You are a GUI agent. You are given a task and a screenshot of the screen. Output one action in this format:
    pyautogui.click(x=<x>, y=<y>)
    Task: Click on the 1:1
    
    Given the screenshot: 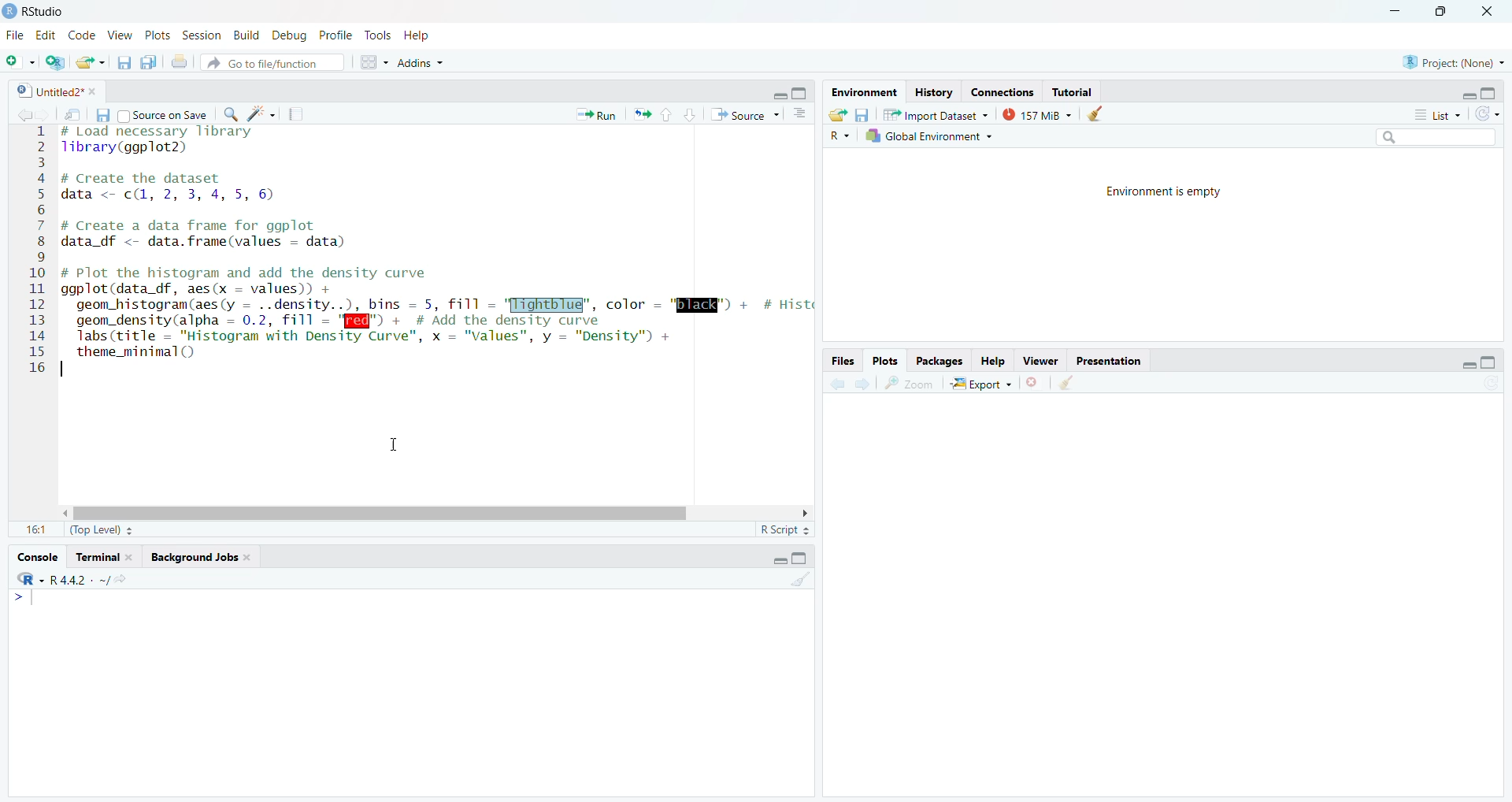 What is the action you would take?
    pyautogui.click(x=39, y=529)
    